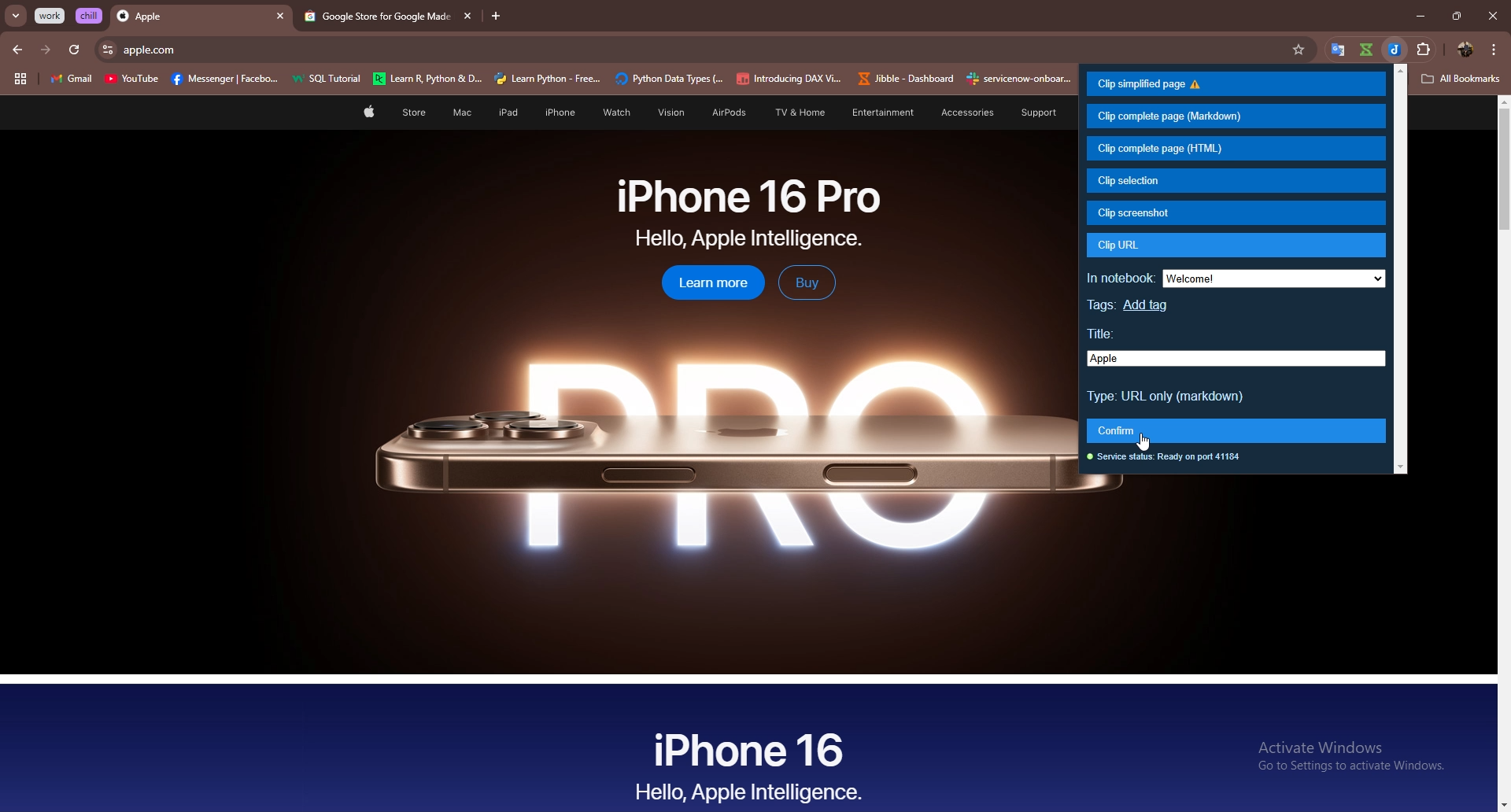  I want to click on type:URL only(markdown), so click(1167, 397).